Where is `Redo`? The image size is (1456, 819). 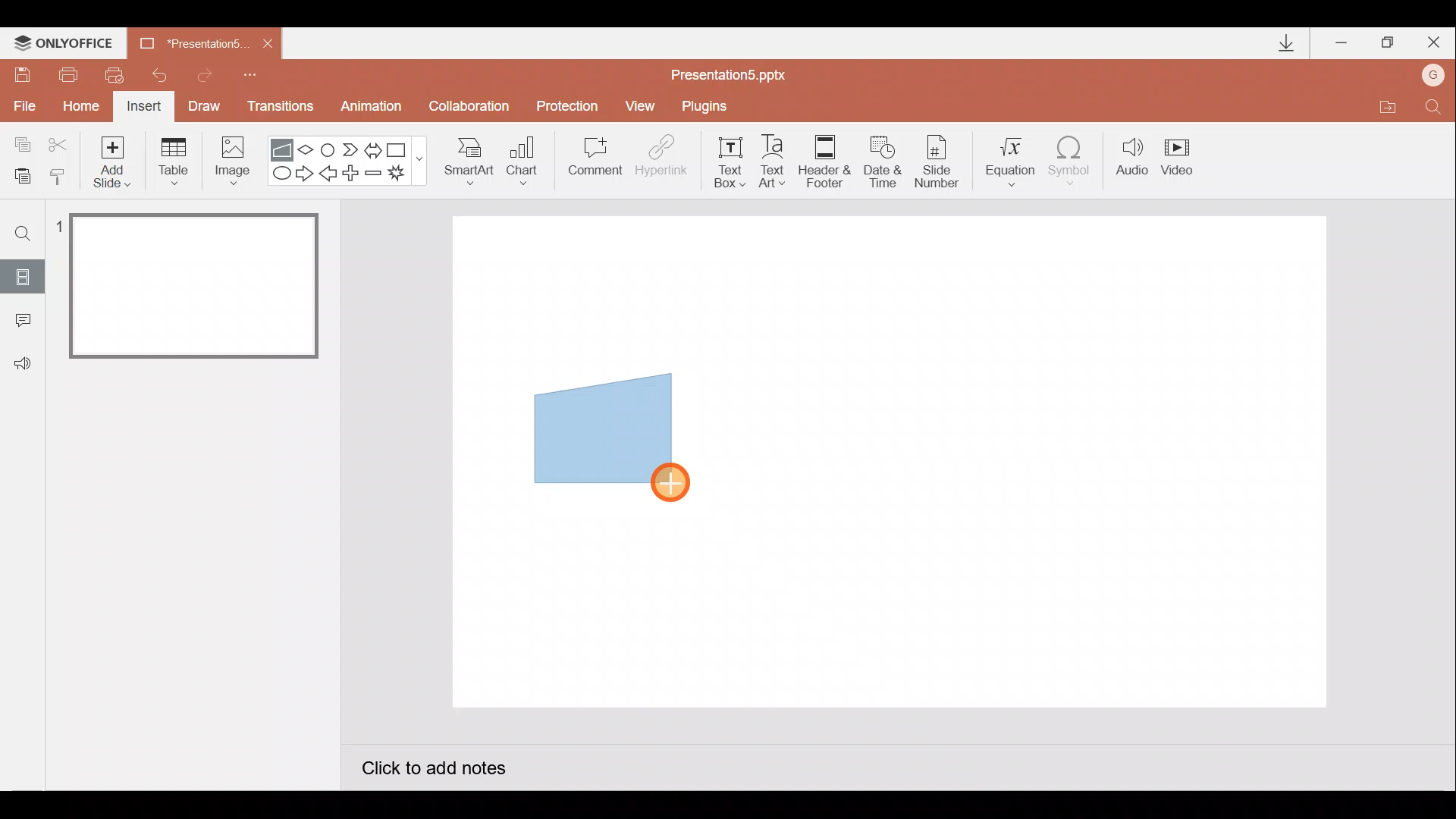
Redo is located at coordinates (206, 73).